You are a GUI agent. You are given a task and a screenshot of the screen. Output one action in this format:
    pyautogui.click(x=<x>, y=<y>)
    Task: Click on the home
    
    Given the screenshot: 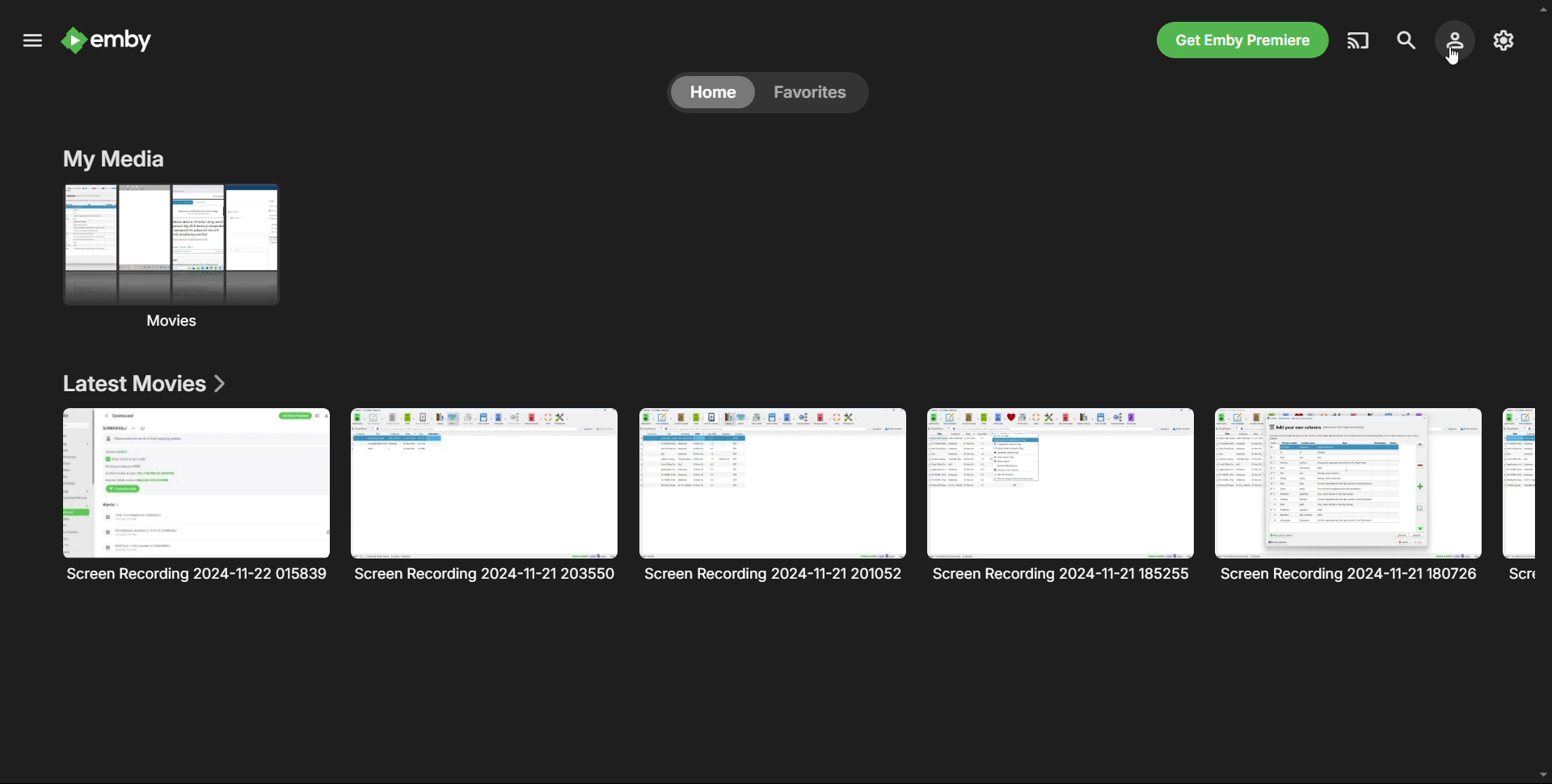 What is the action you would take?
    pyautogui.click(x=713, y=92)
    